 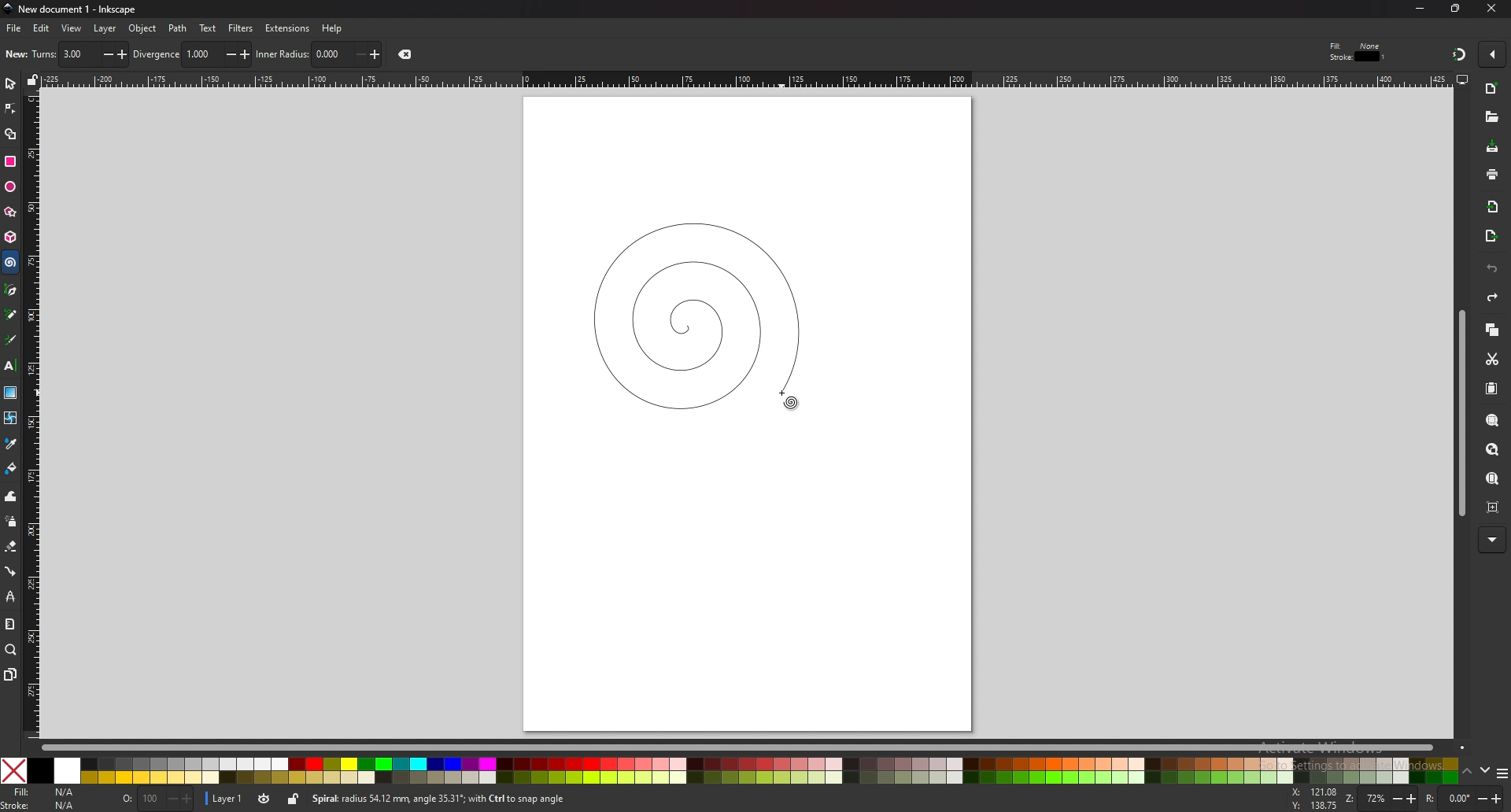 What do you see at coordinates (1484, 770) in the screenshot?
I see `down` at bounding box center [1484, 770].